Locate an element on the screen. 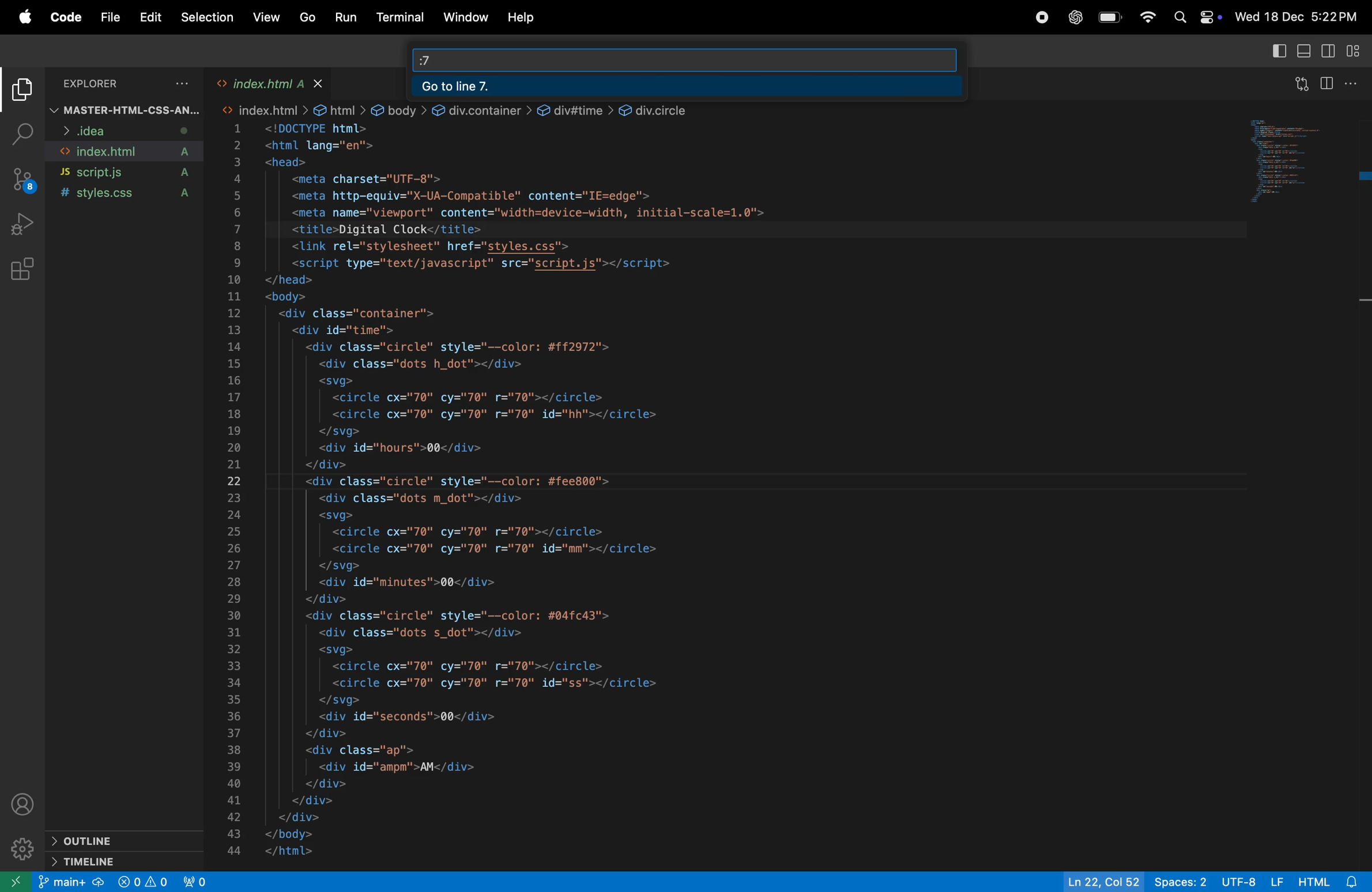  time line is located at coordinates (133, 860).